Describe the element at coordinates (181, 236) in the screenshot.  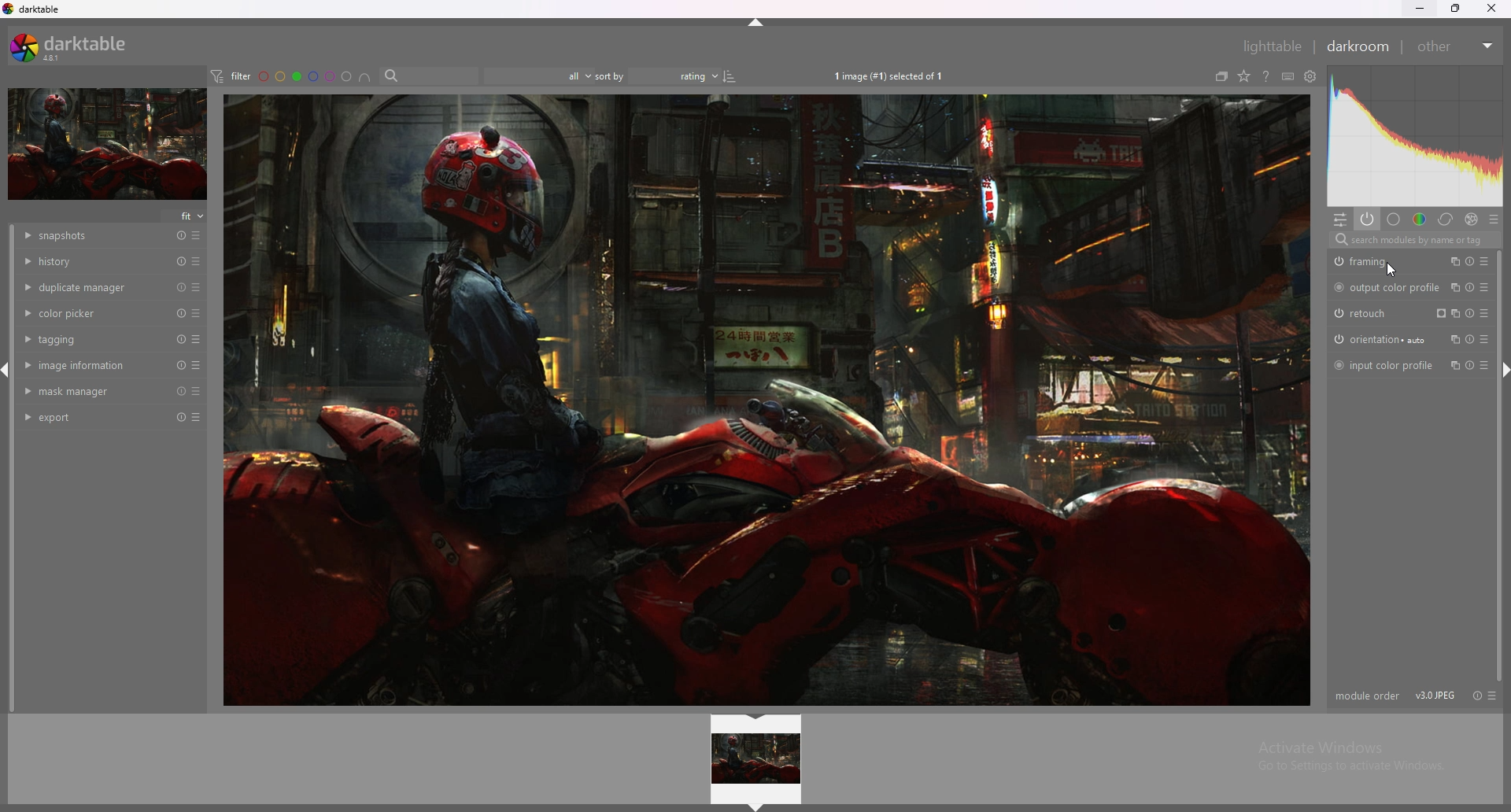
I see `reset` at that location.